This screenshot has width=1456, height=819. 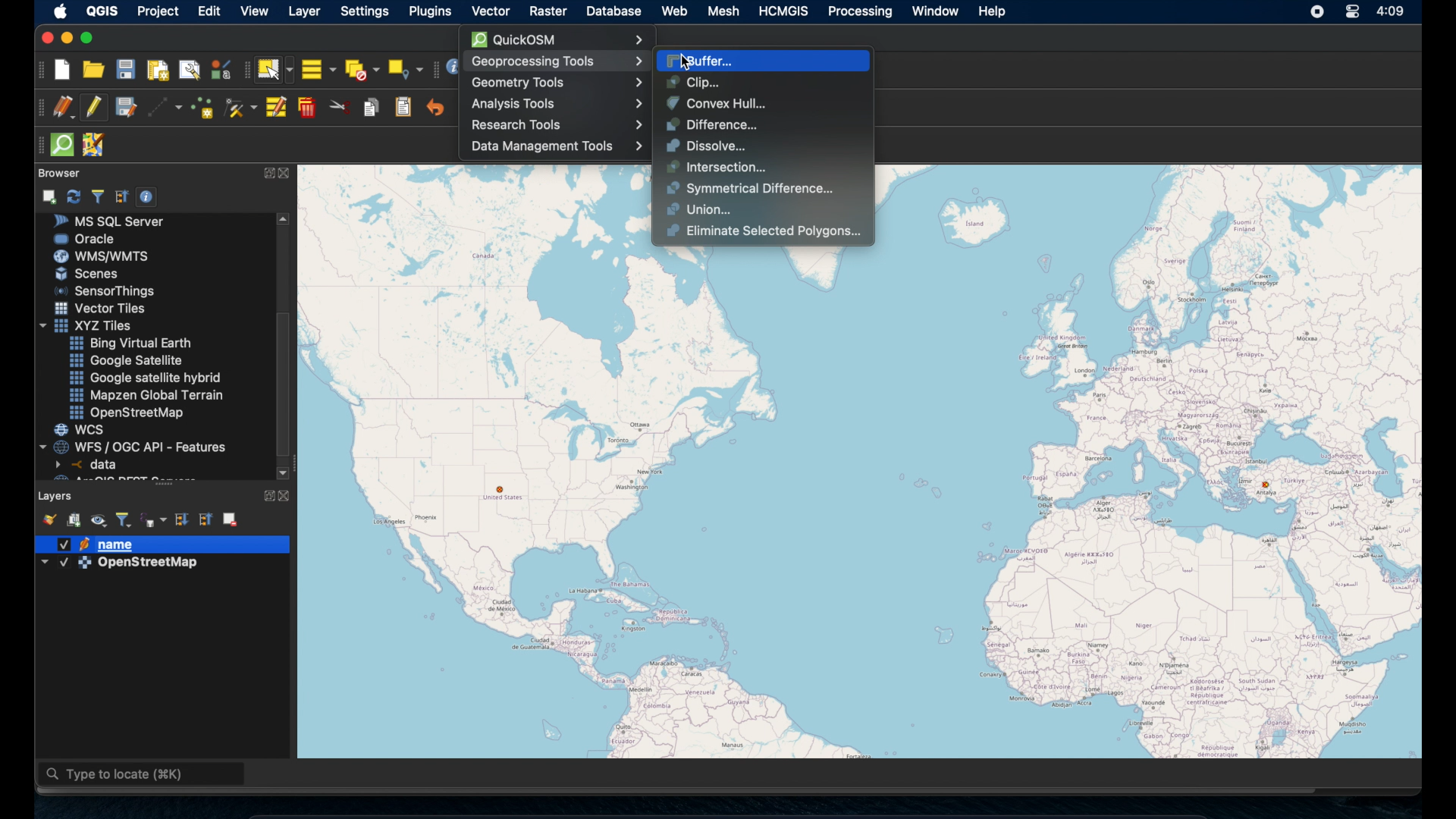 I want to click on sensor things, so click(x=105, y=290).